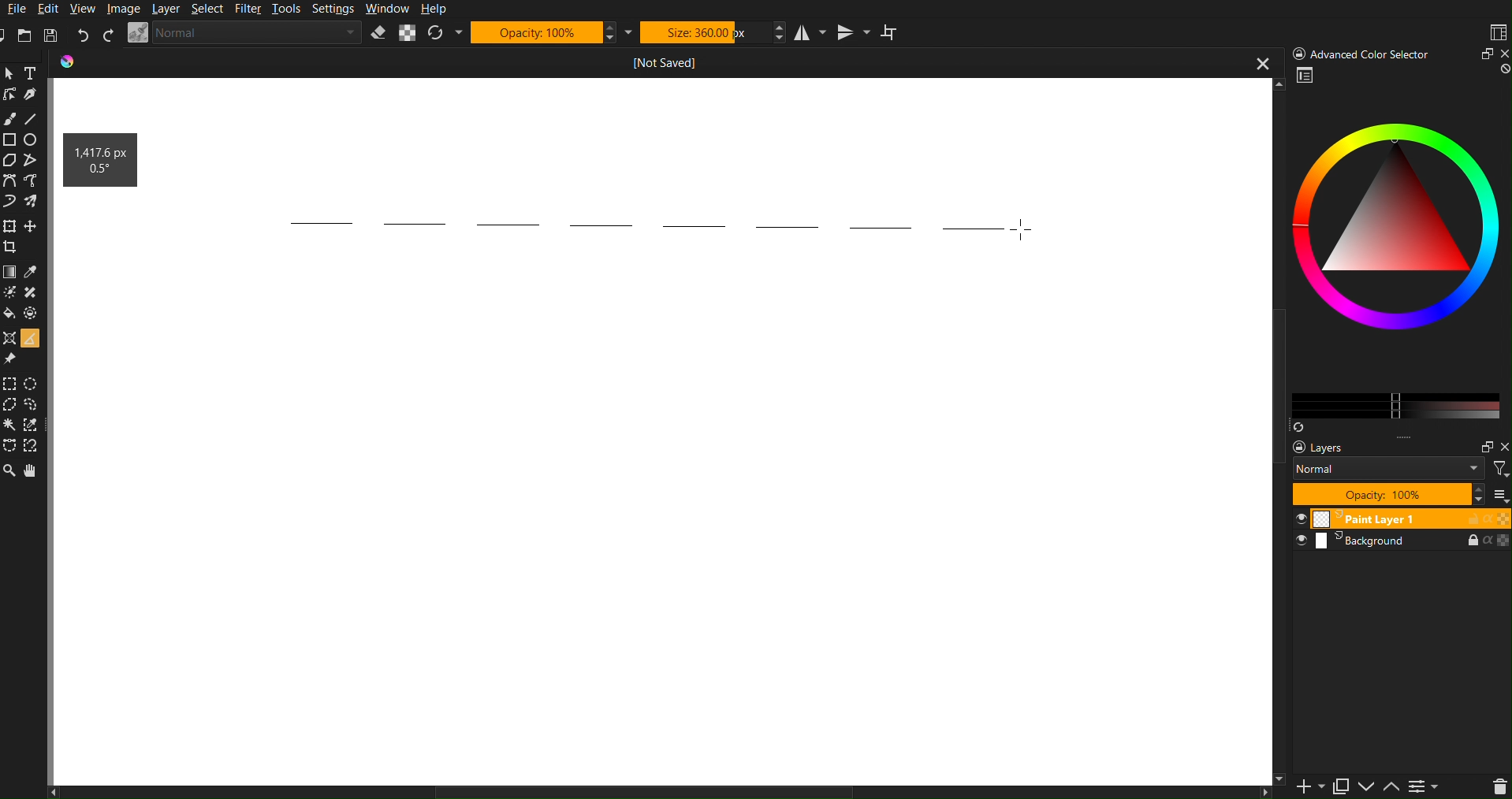  Describe the element at coordinates (408, 33) in the screenshot. I see `Alpha` at that location.